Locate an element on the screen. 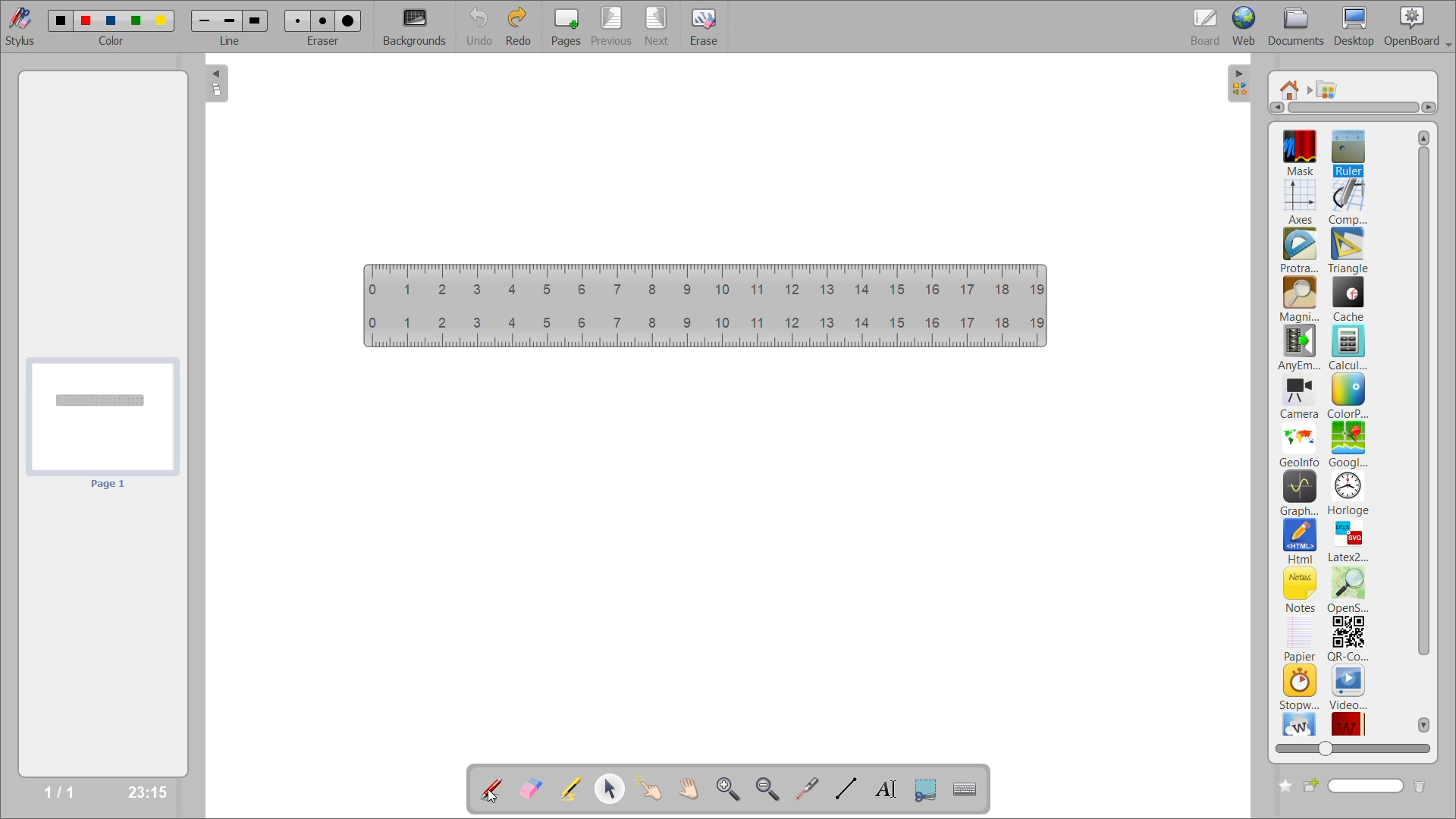 Image resolution: width=1456 pixels, height=819 pixels. erase annotation is located at coordinates (533, 789).